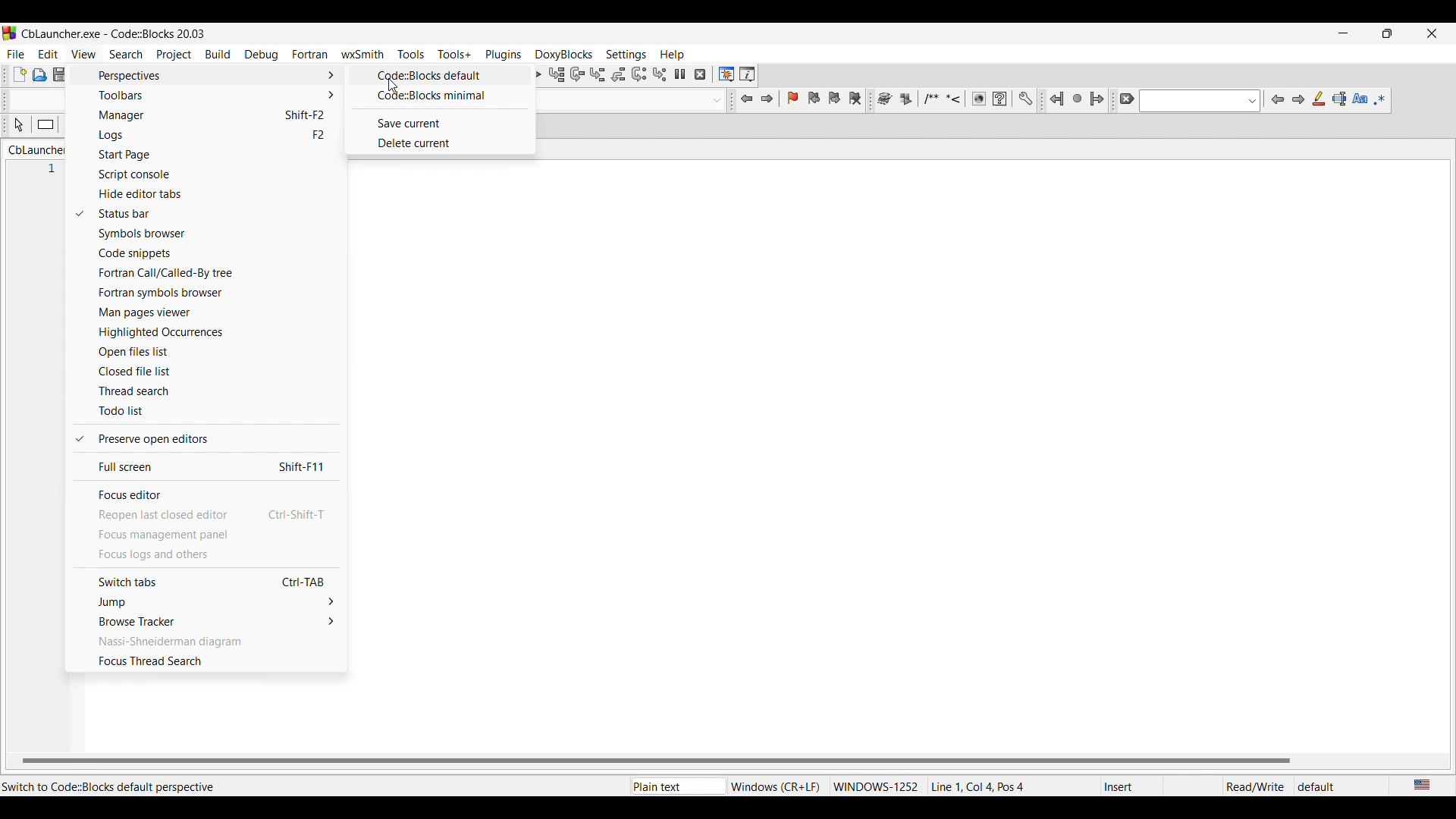  What do you see at coordinates (792, 98) in the screenshot?
I see `Toggle bookmark` at bounding box center [792, 98].